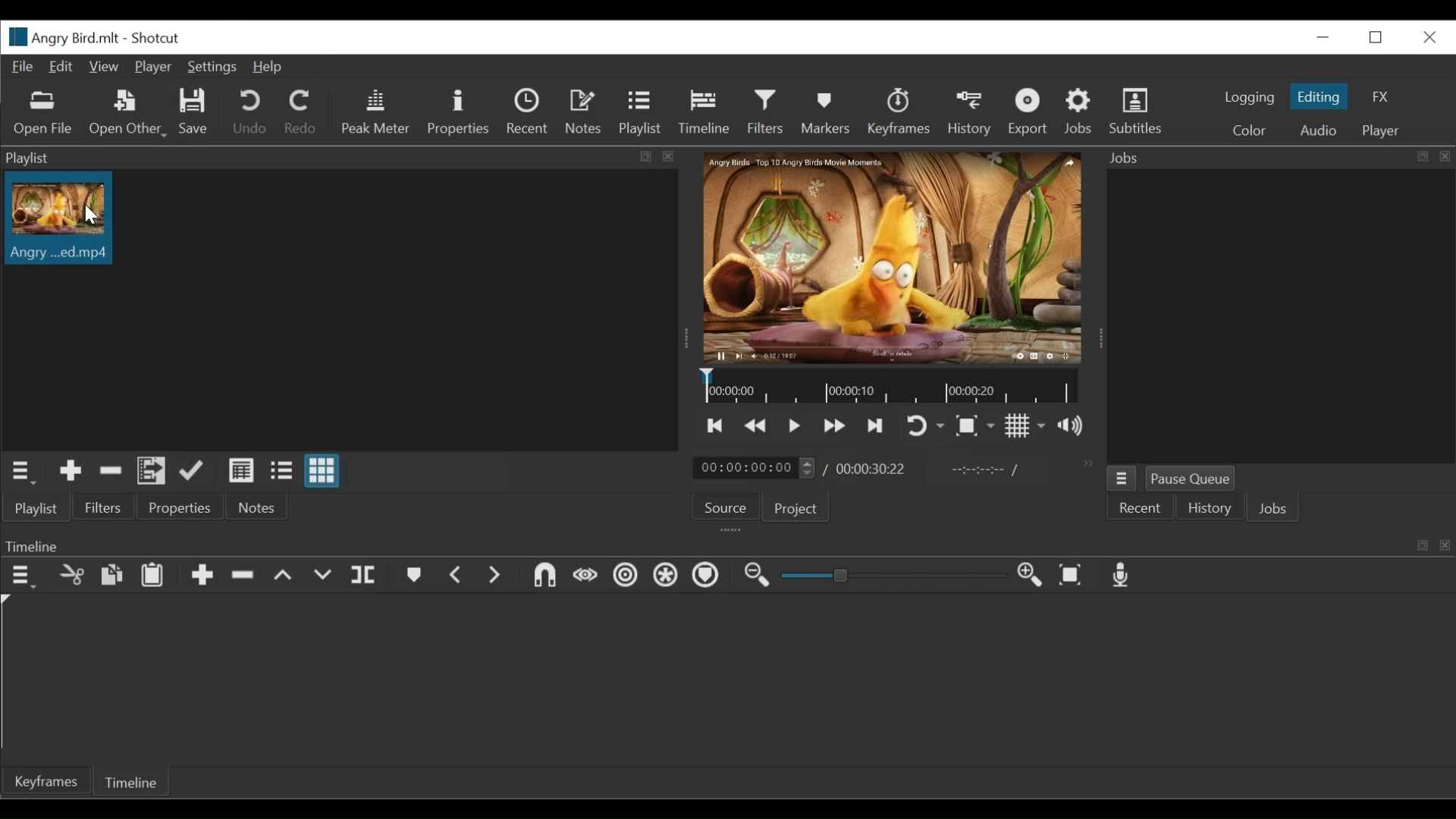 This screenshot has height=819, width=1456. What do you see at coordinates (1026, 425) in the screenshot?
I see `Show display grid on player` at bounding box center [1026, 425].